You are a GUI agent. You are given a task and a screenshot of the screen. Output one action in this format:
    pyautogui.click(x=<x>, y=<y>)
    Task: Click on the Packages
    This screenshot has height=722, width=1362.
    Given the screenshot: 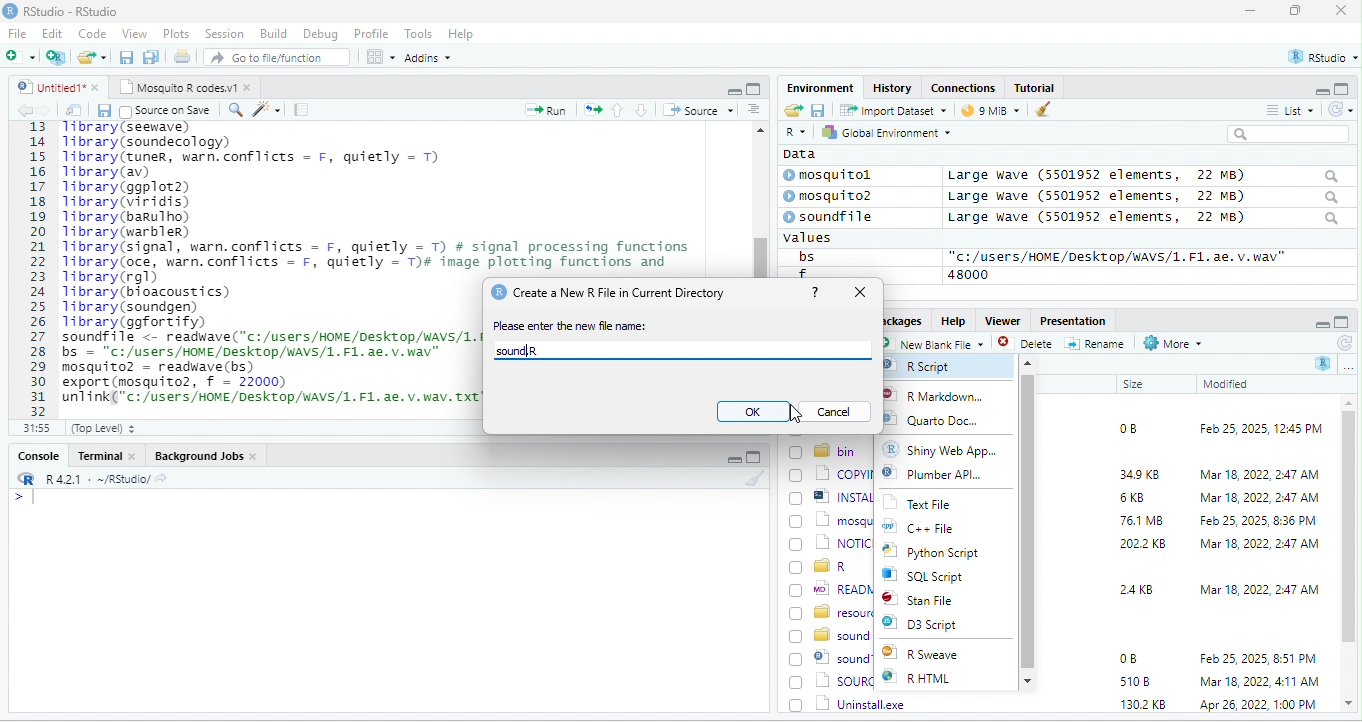 What is the action you would take?
    pyautogui.click(x=901, y=320)
    